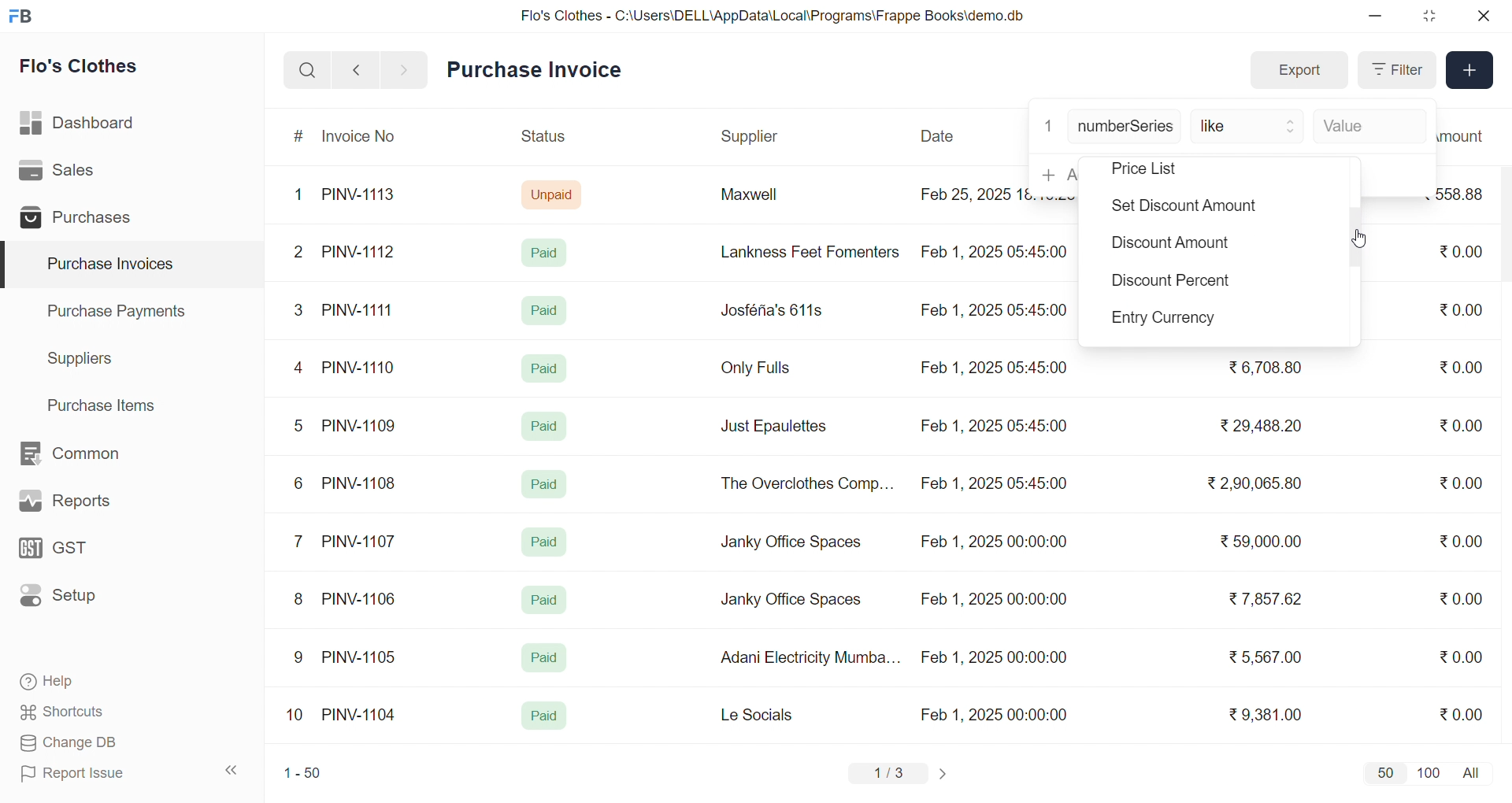  What do you see at coordinates (1361, 236) in the screenshot?
I see `cursor` at bounding box center [1361, 236].